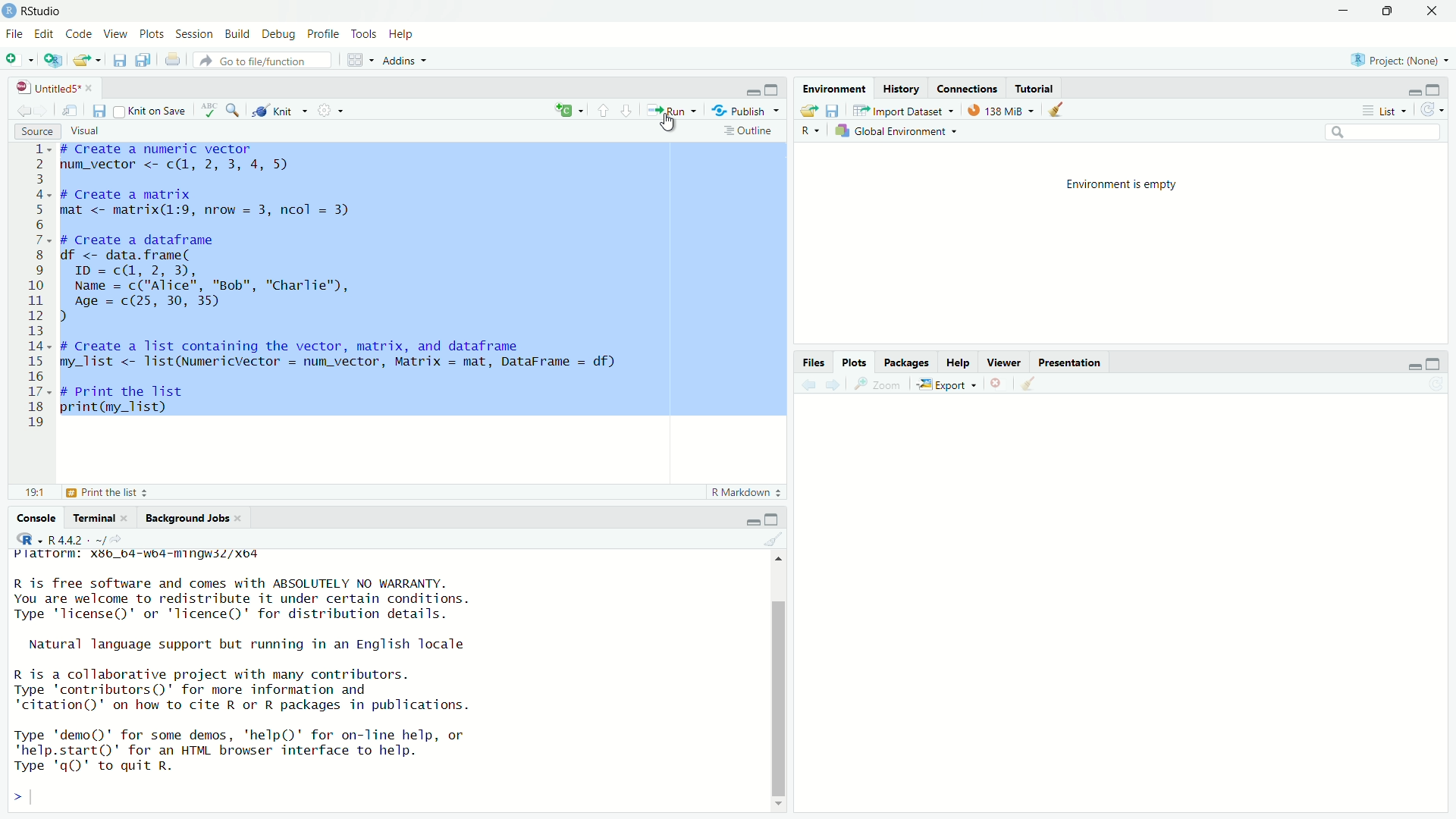  Describe the element at coordinates (80, 35) in the screenshot. I see `Code` at that location.